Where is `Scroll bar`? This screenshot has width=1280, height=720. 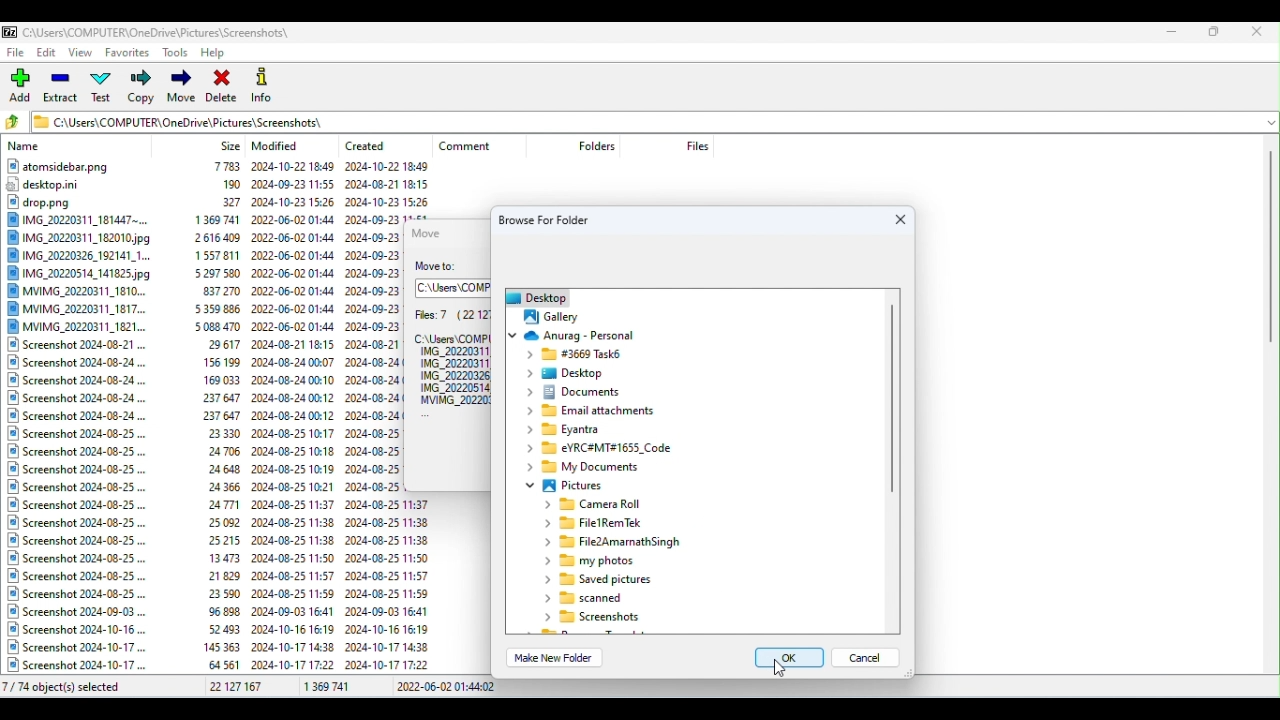 Scroll bar is located at coordinates (890, 464).